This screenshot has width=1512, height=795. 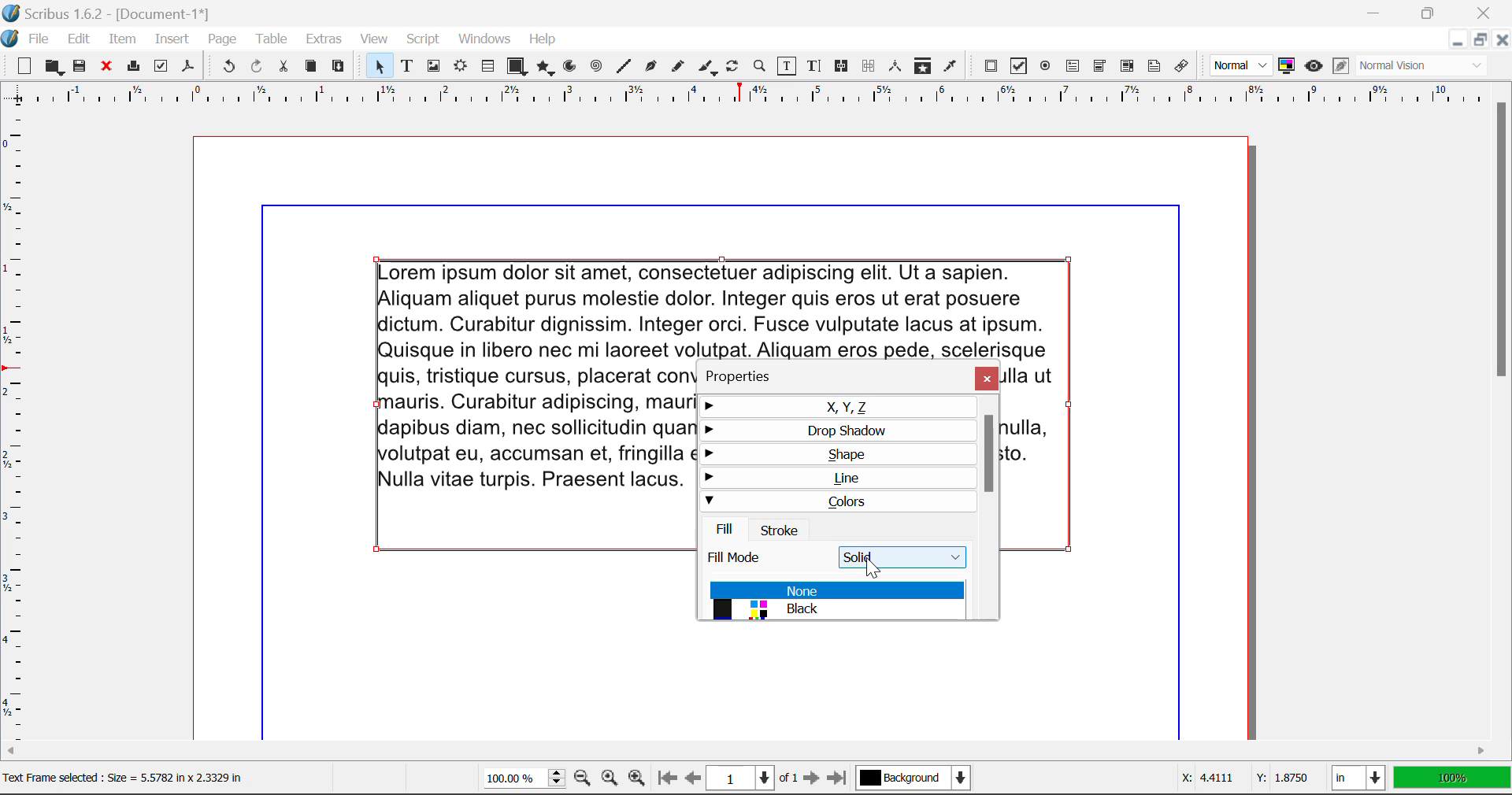 I want to click on New, so click(x=24, y=67).